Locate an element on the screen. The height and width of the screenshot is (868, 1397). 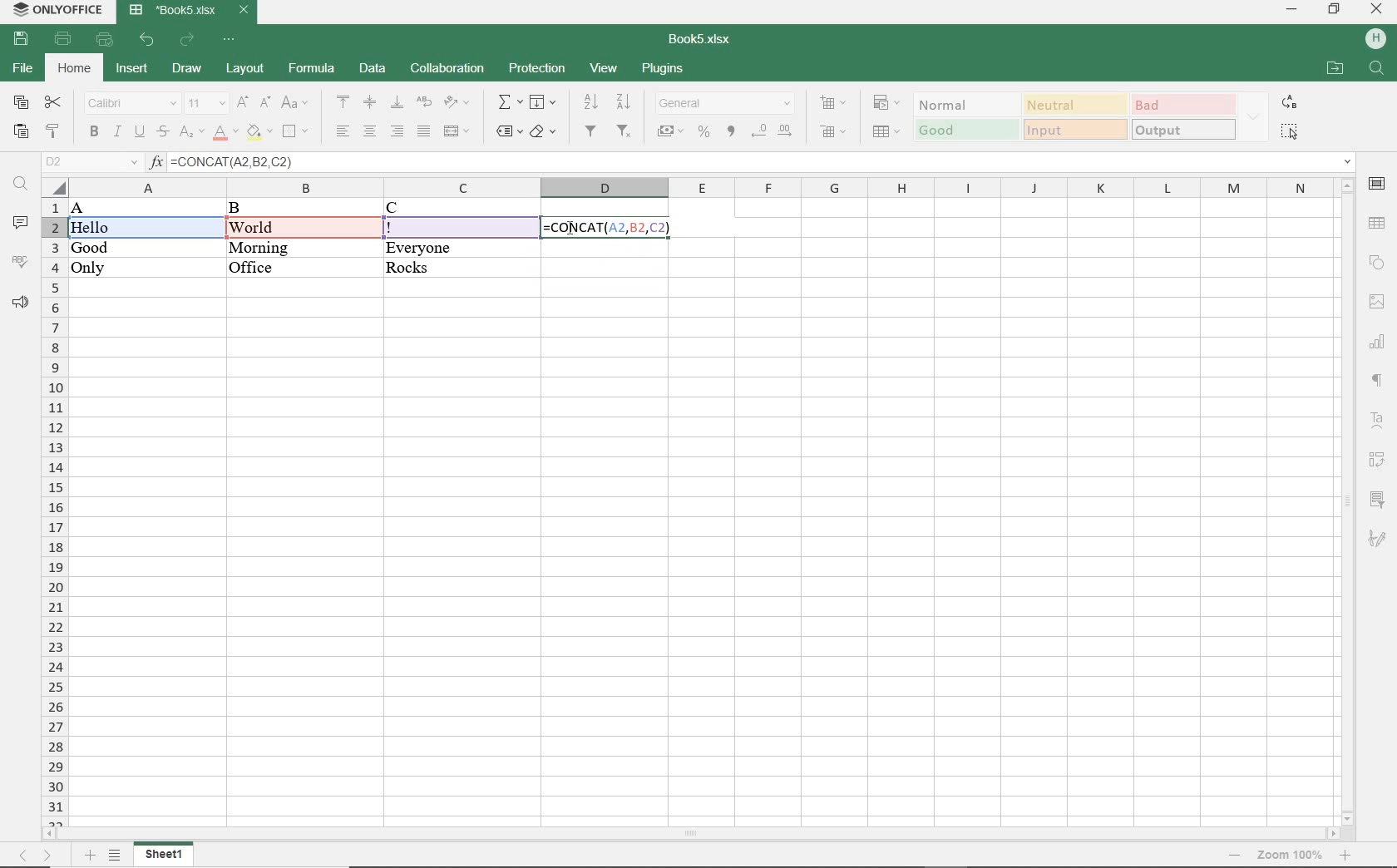
COMMENTS is located at coordinates (19, 224).